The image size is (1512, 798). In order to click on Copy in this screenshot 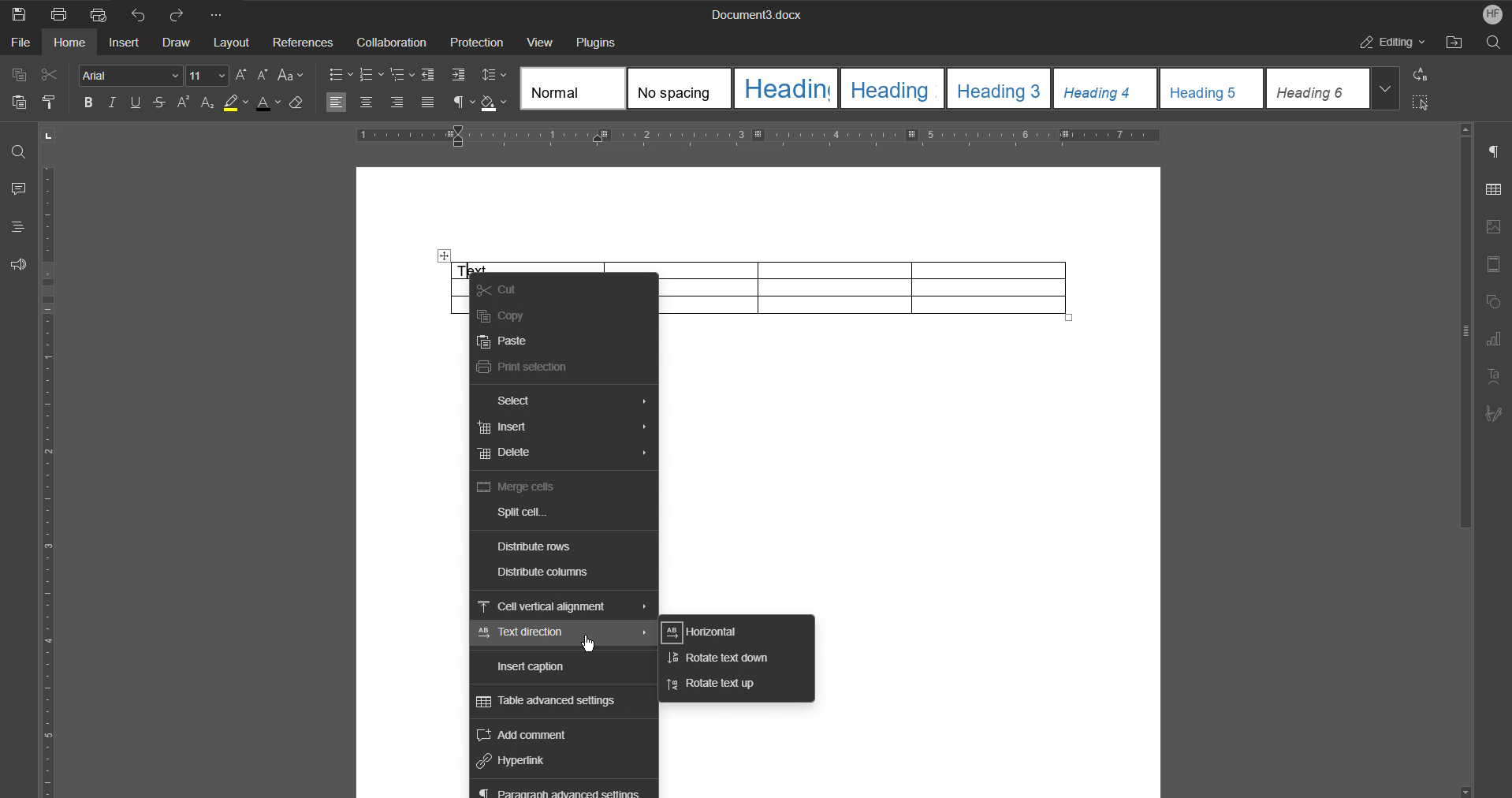, I will do `click(20, 76)`.